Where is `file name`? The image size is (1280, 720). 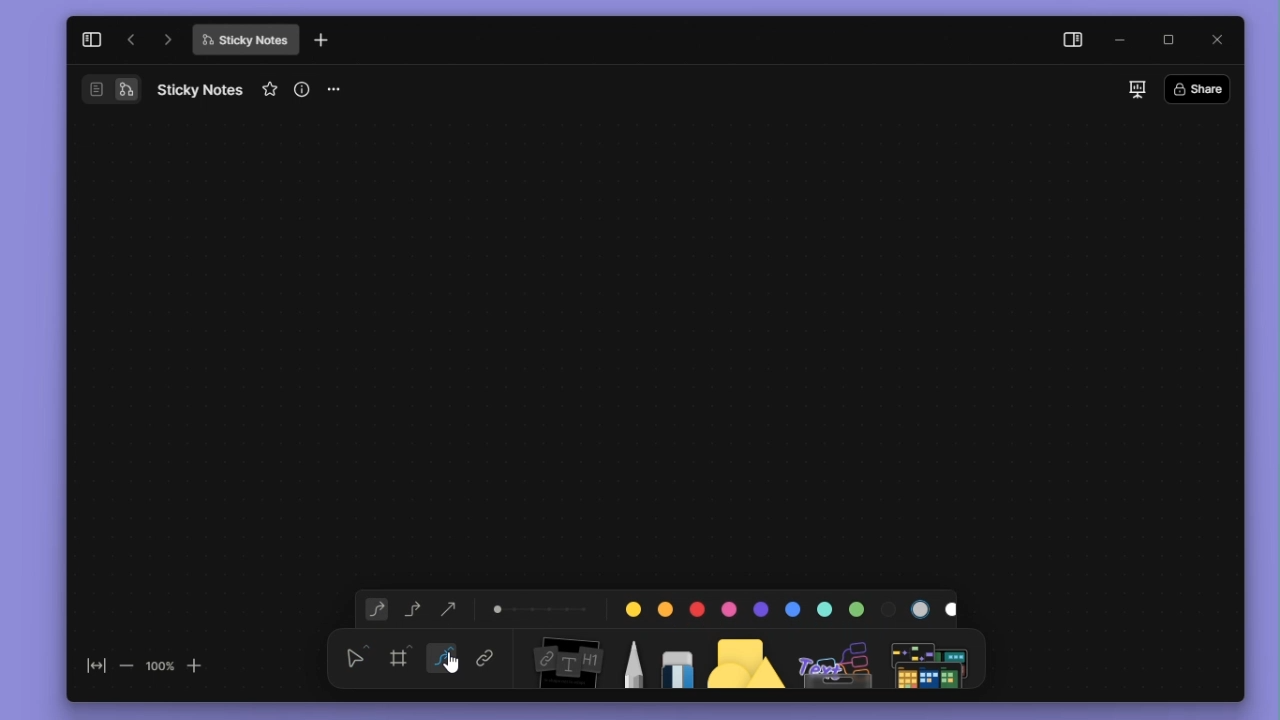
file name is located at coordinates (245, 40).